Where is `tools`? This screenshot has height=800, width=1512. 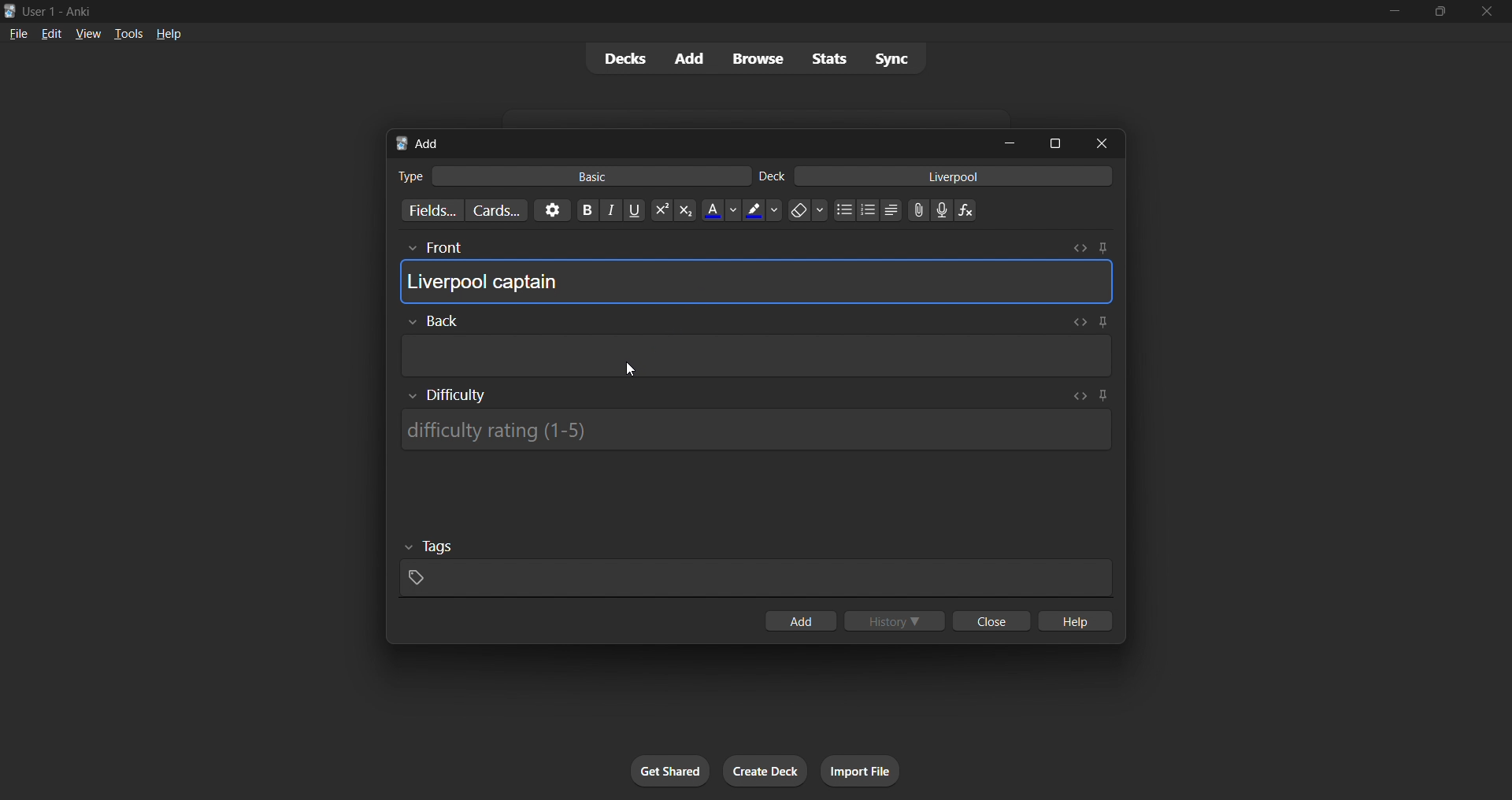
tools is located at coordinates (127, 33).